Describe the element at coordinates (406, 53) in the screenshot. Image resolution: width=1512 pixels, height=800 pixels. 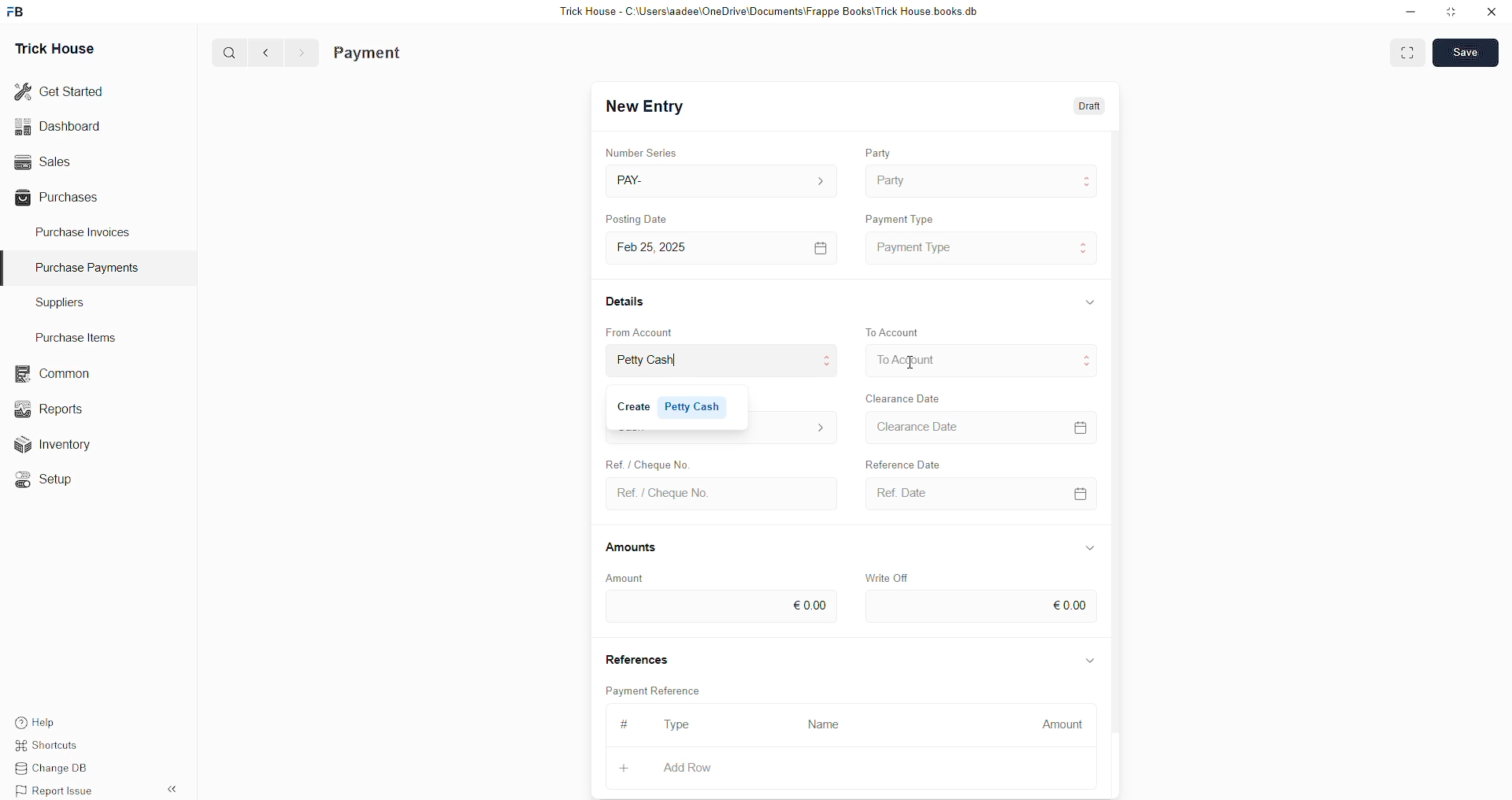
I see `Purchase Invoice` at that location.